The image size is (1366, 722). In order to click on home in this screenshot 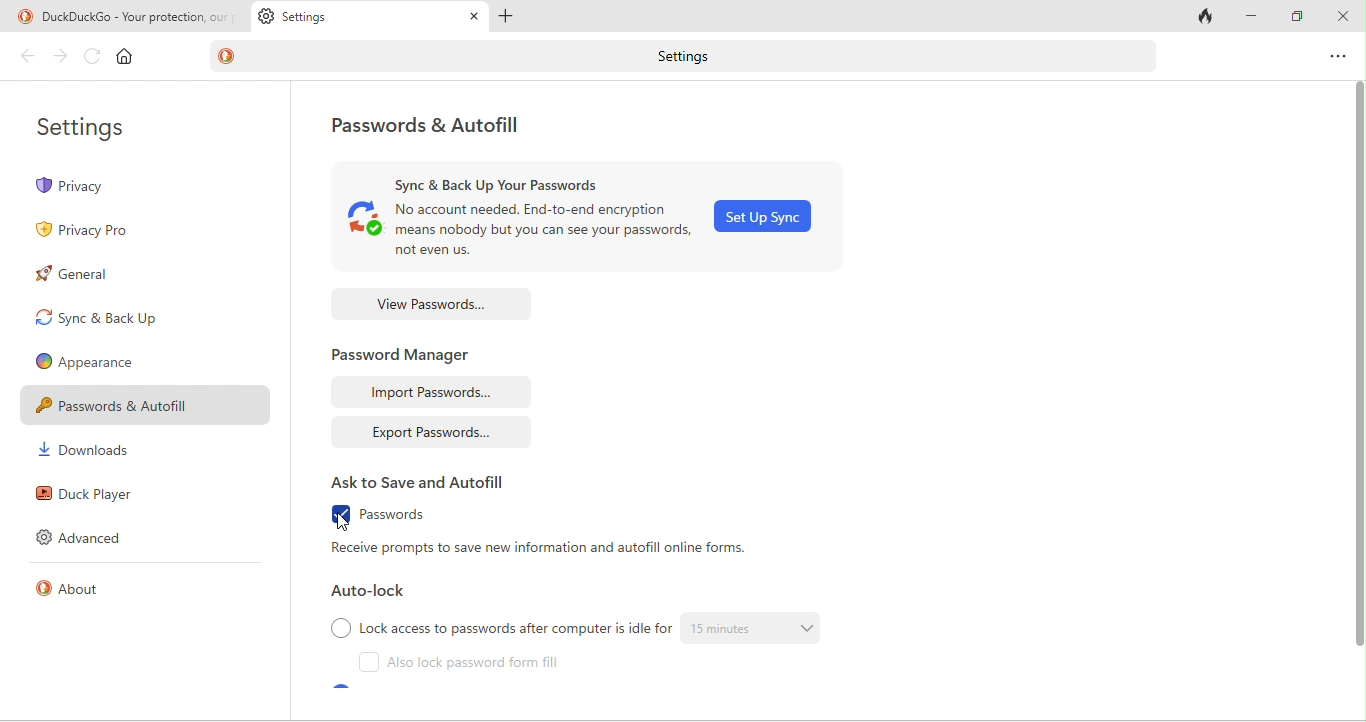, I will do `click(129, 59)`.